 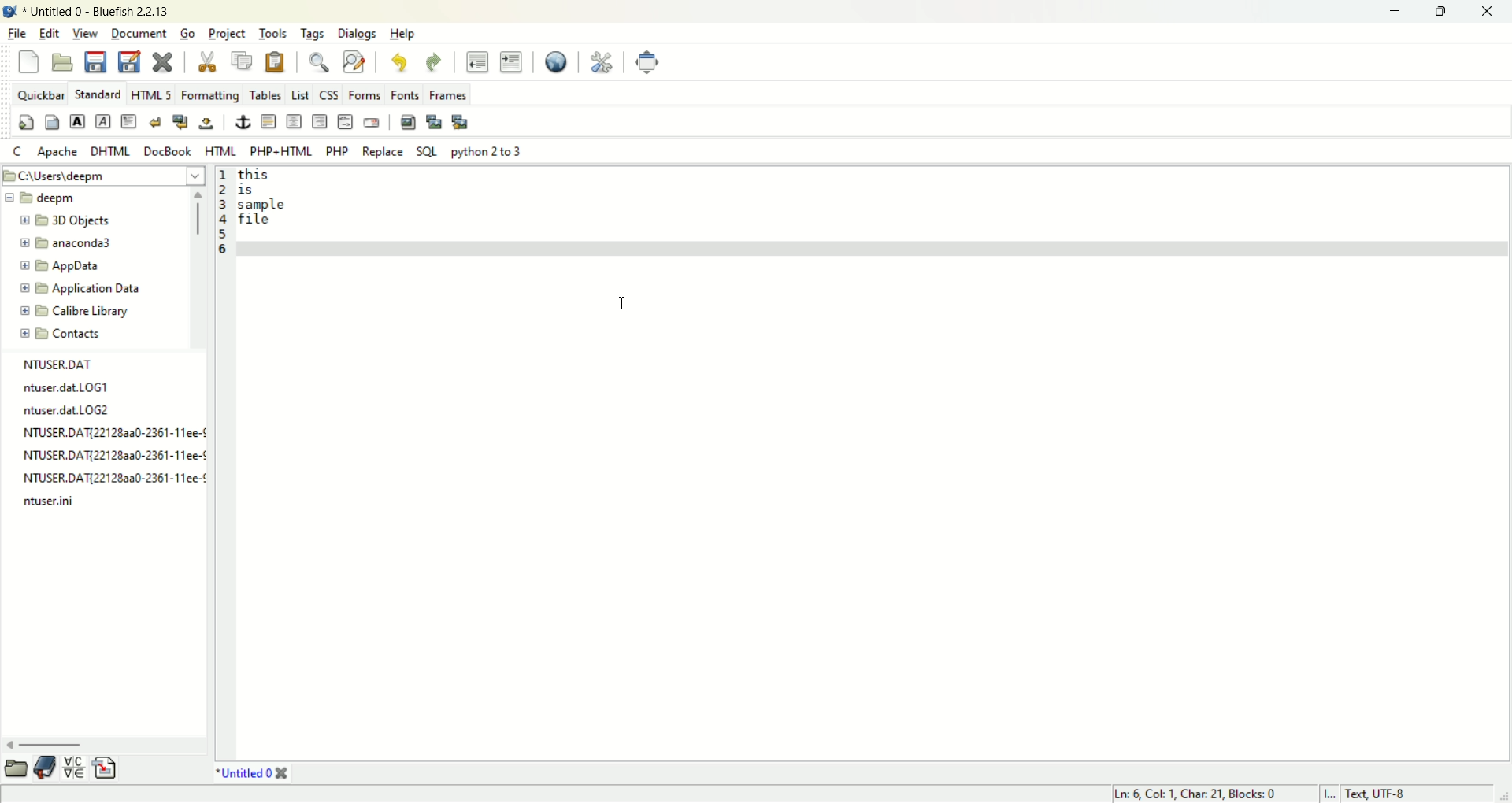 I want to click on cut, so click(x=209, y=62).